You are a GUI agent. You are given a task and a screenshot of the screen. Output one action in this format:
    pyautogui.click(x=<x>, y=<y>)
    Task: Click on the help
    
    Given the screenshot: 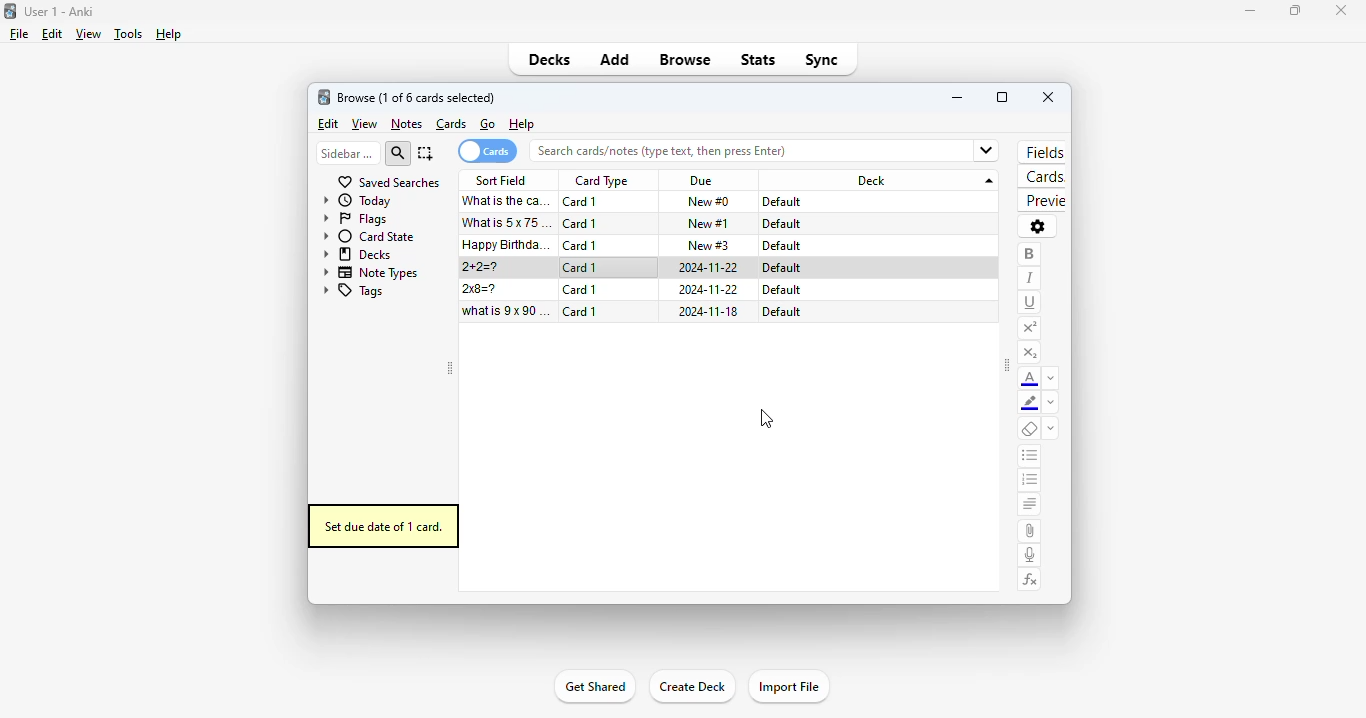 What is the action you would take?
    pyautogui.click(x=168, y=34)
    